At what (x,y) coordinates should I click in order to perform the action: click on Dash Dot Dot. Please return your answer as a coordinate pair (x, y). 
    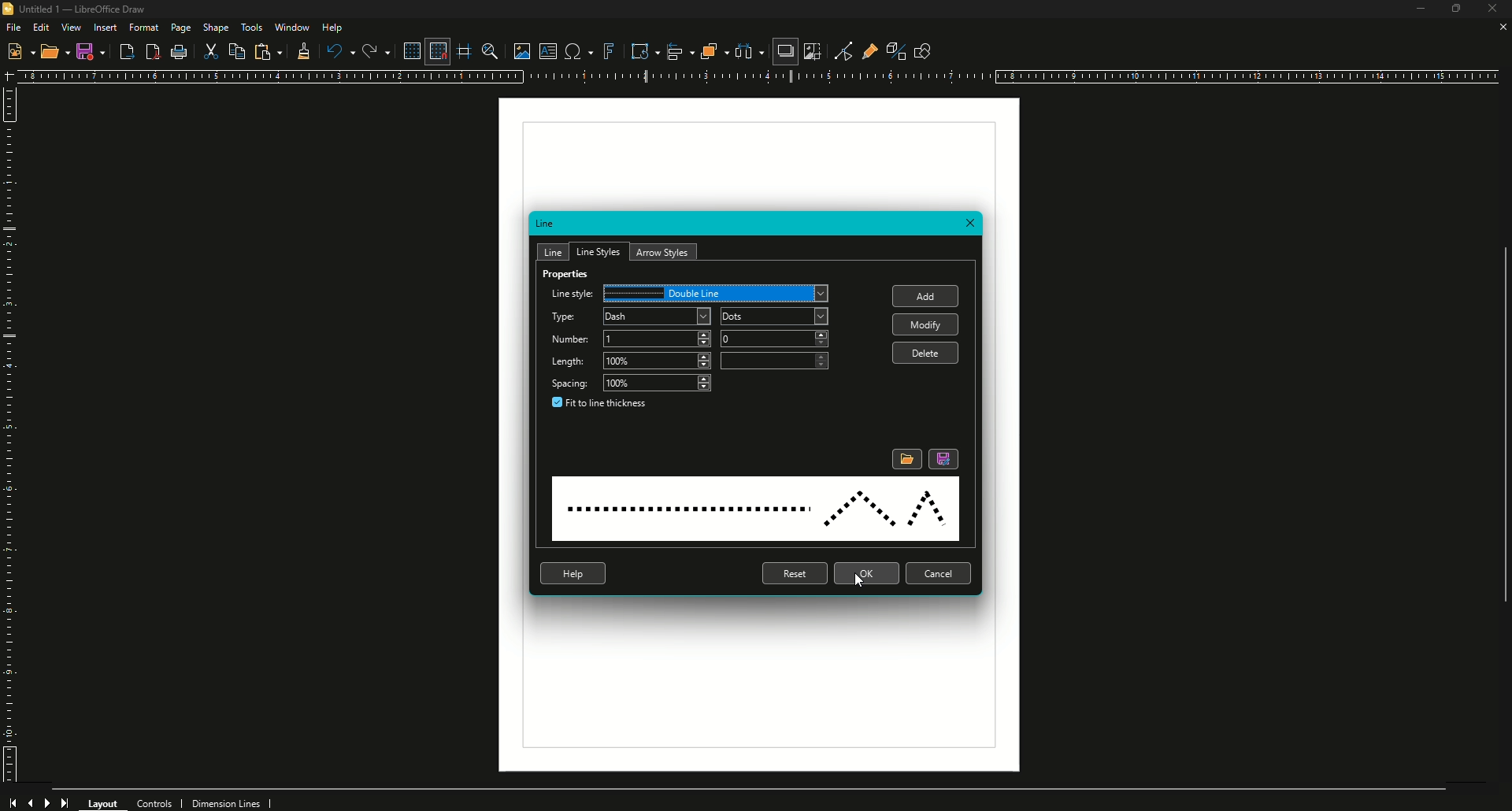
    Looking at the image, I should click on (720, 292).